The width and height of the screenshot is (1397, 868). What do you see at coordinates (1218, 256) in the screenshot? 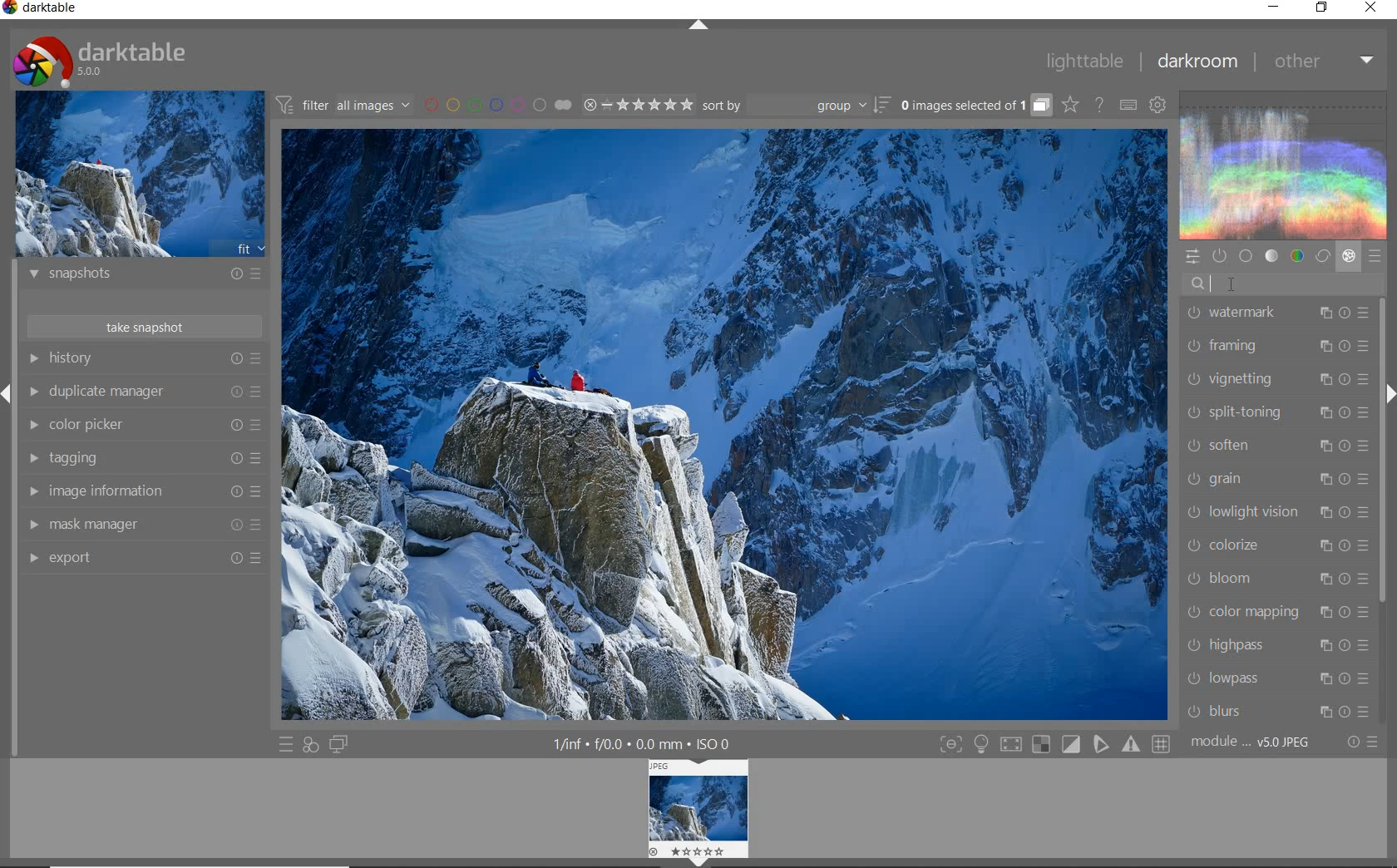
I see `show only active modules` at bounding box center [1218, 256].